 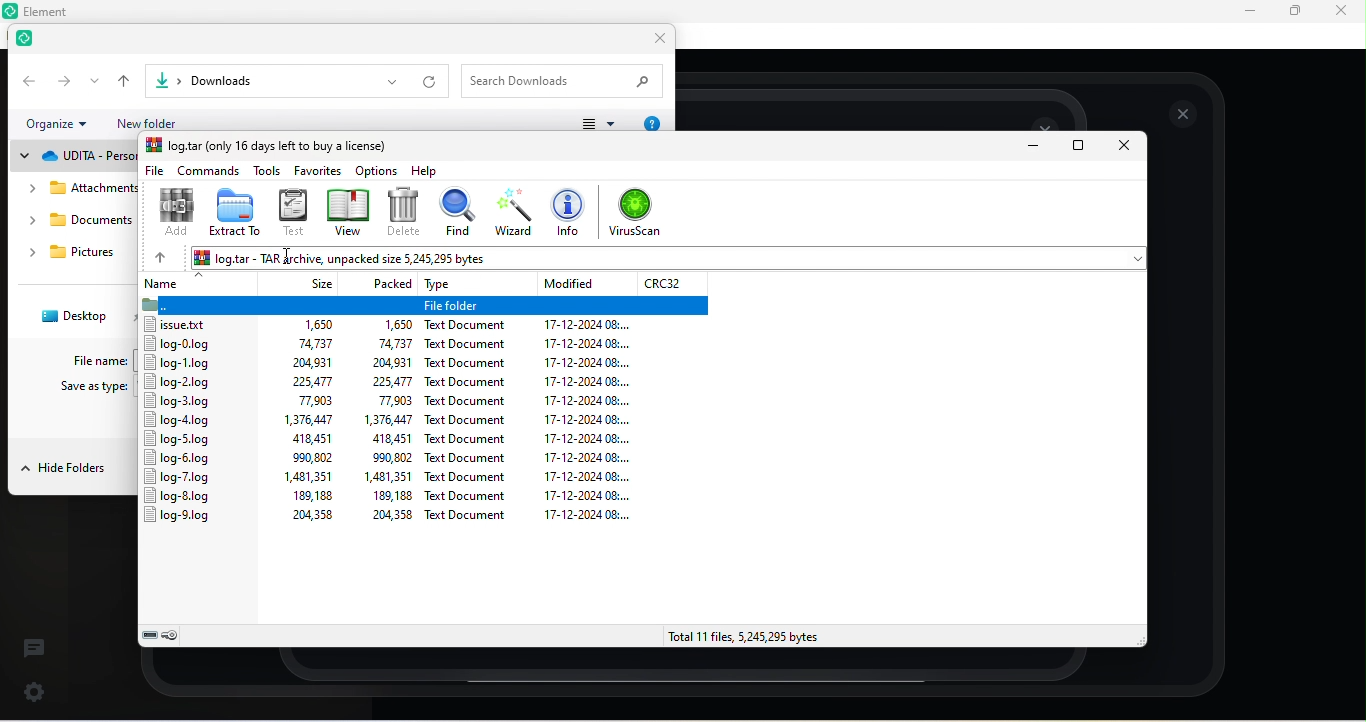 I want to click on forward, so click(x=64, y=80).